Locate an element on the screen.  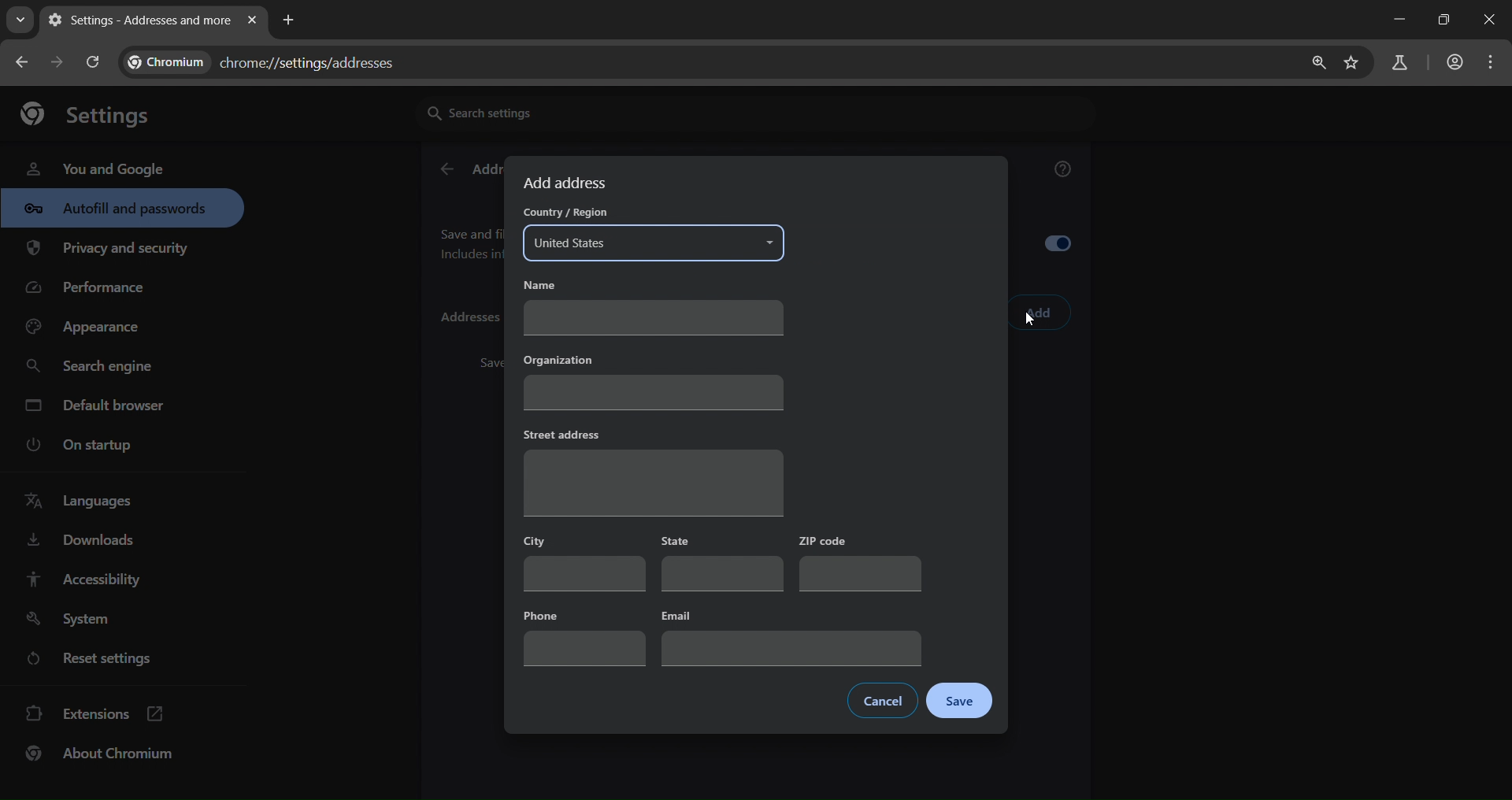
autofill & passwords is located at coordinates (122, 208).